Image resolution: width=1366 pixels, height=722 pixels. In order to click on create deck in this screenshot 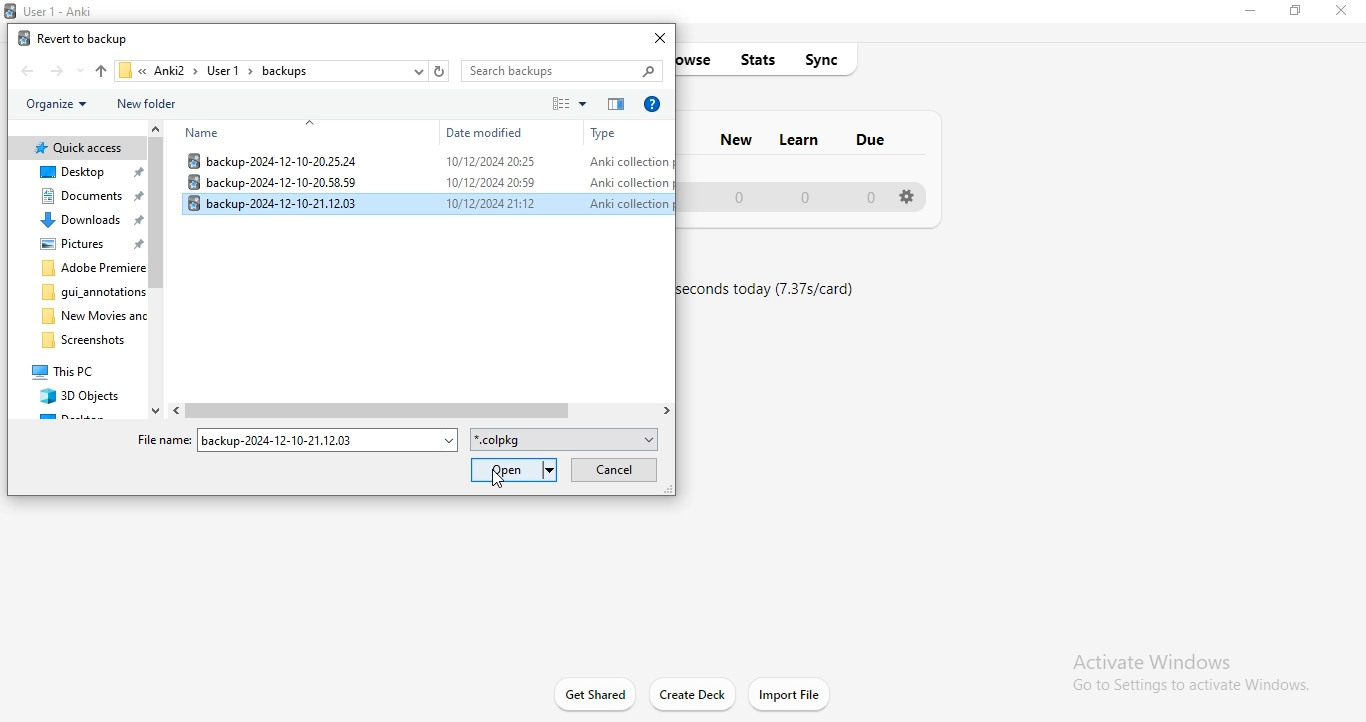, I will do `click(694, 694)`.